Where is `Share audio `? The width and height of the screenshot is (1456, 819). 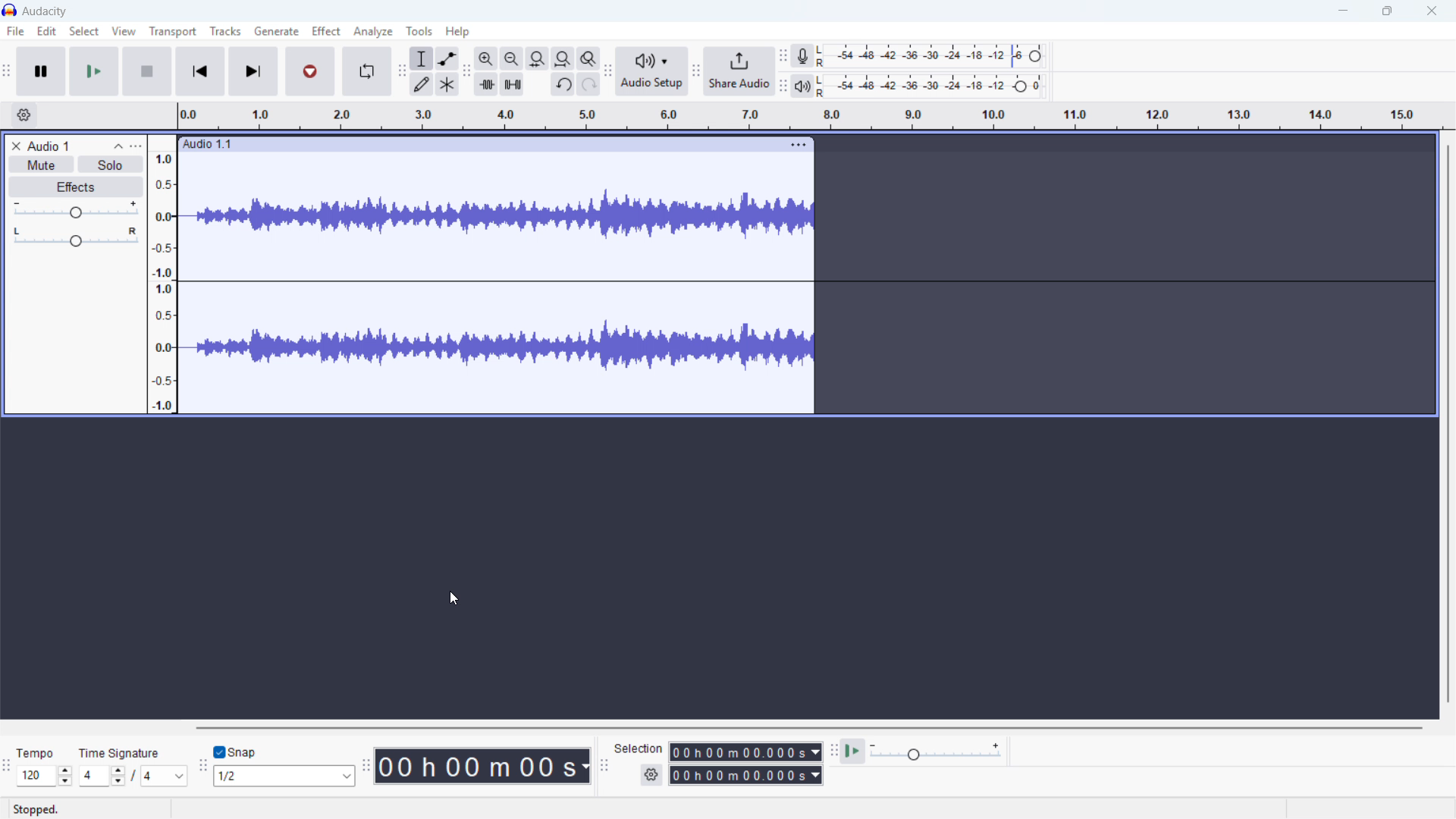
Share audio  is located at coordinates (740, 71).